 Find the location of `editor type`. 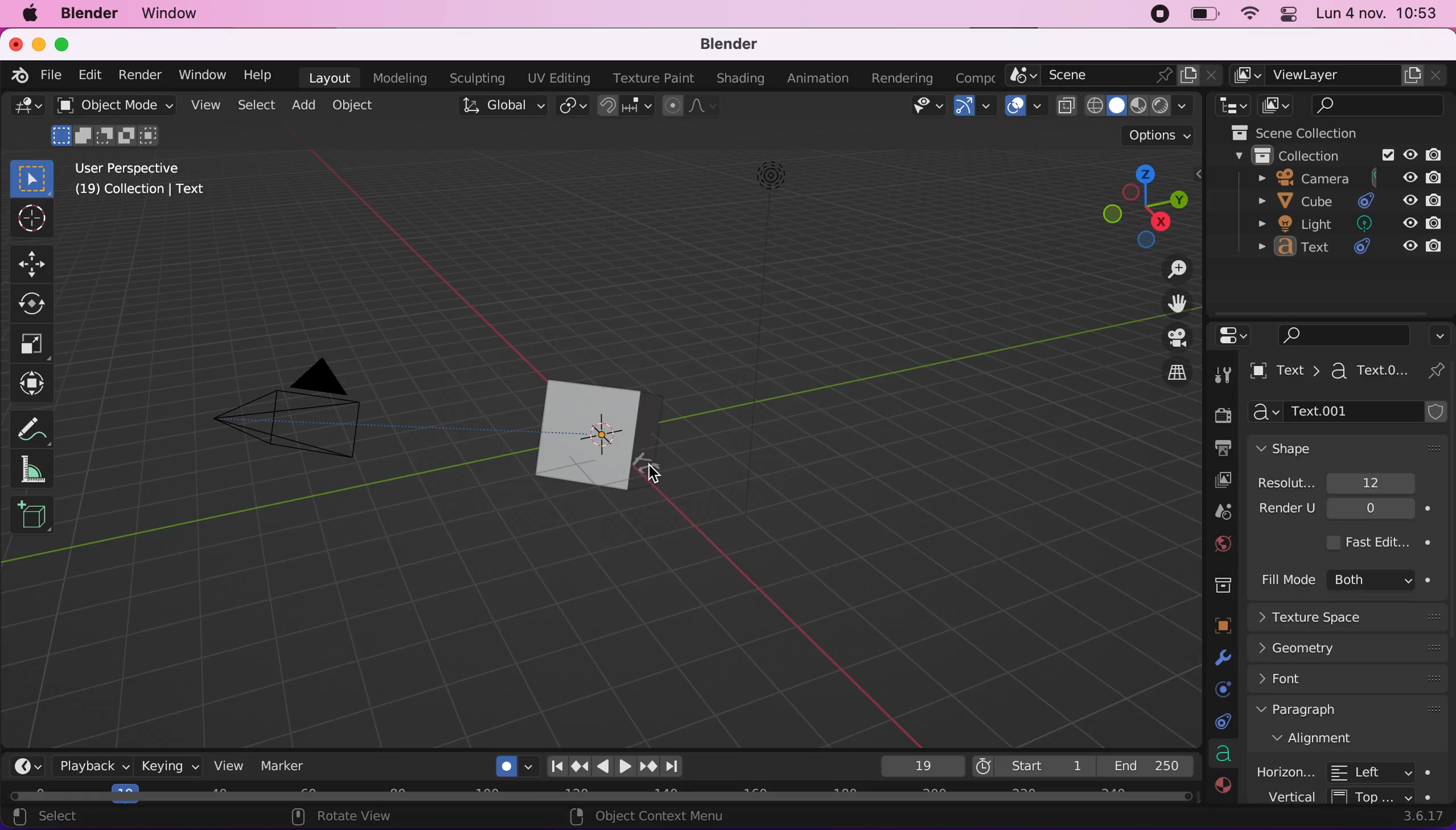

editor type is located at coordinates (1238, 335).